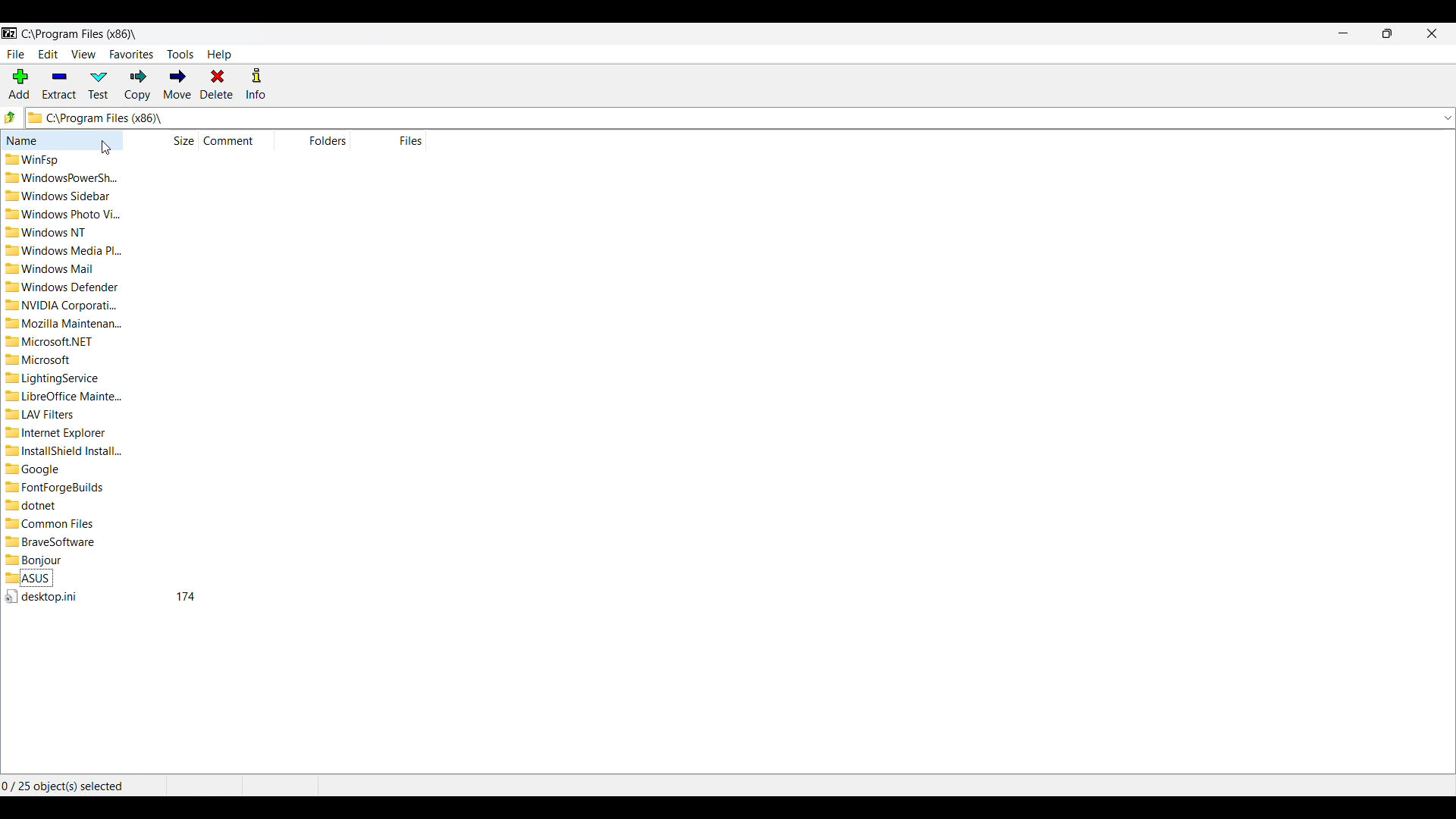  Describe the element at coordinates (177, 83) in the screenshot. I see `Move` at that location.